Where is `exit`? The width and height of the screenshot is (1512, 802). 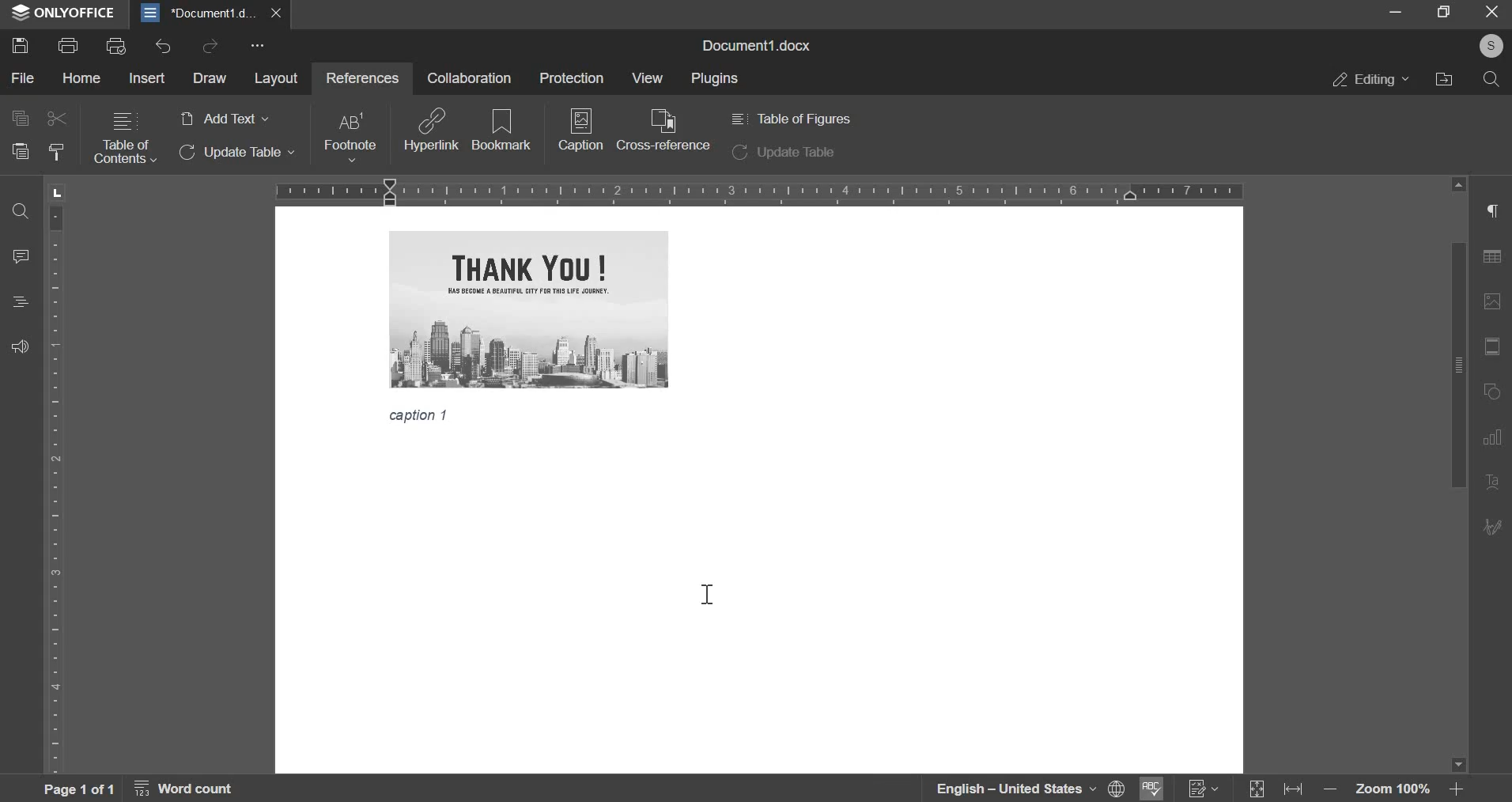 exit is located at coordinates (1493, 13).